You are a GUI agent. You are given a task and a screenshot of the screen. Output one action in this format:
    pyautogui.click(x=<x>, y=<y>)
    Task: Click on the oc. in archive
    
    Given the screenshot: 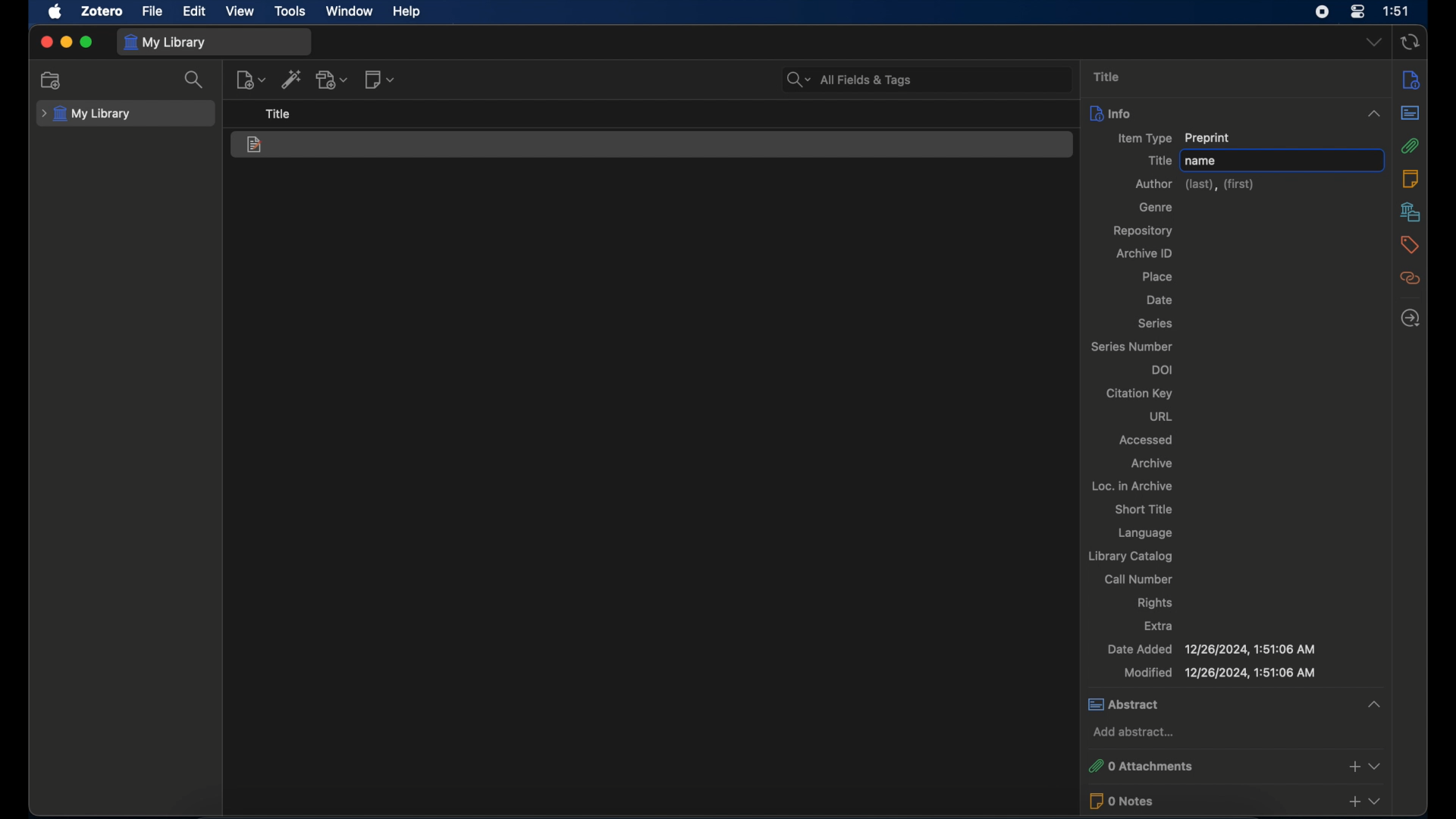 What is the action you would take?
    pyautogui.click(x=1130, y=485)
    